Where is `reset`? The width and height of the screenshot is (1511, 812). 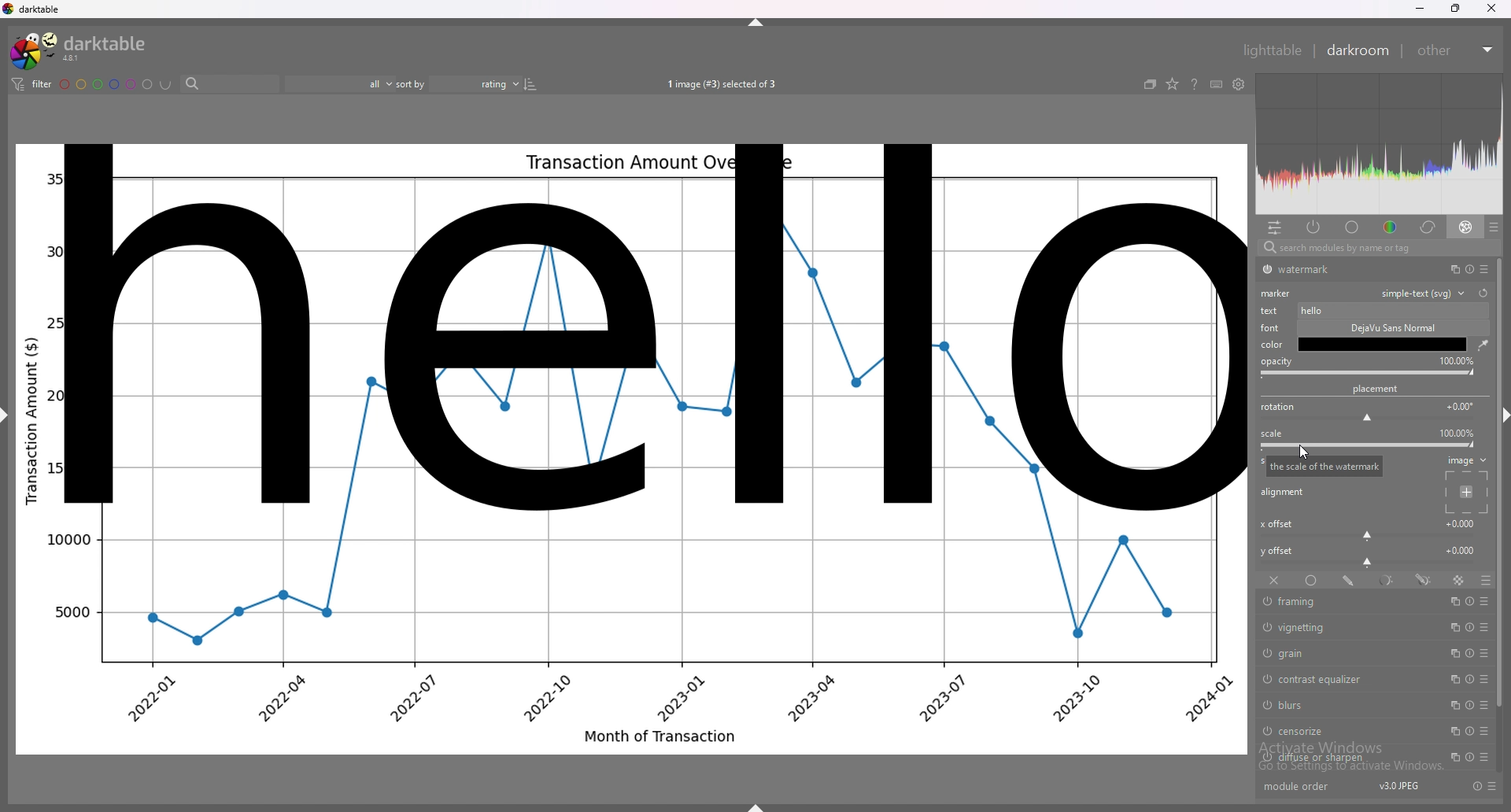
reset is located at coordinates (1469, 706).